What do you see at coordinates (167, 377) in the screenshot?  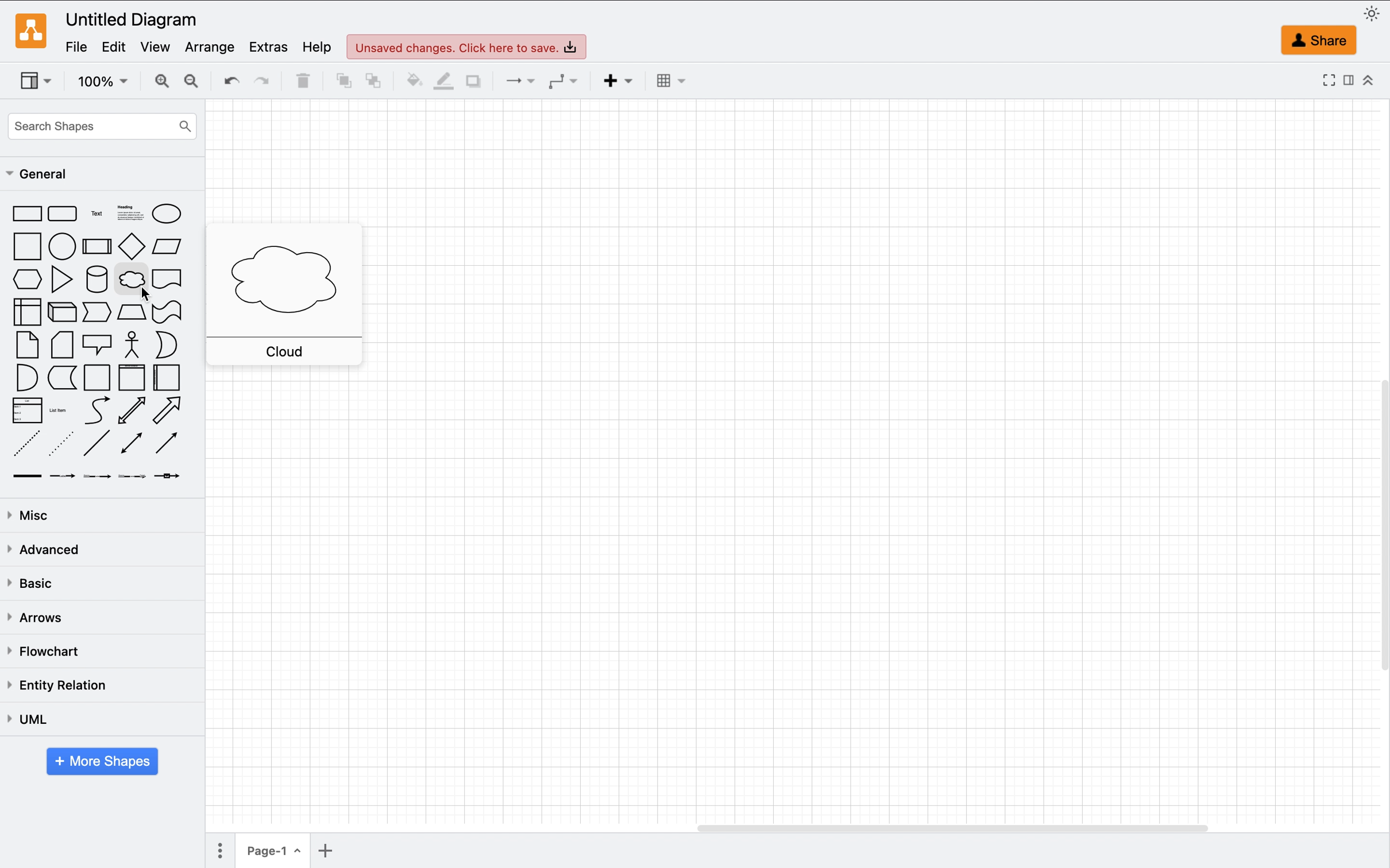 I see `horizontal container` at bounding box center [167, 377].